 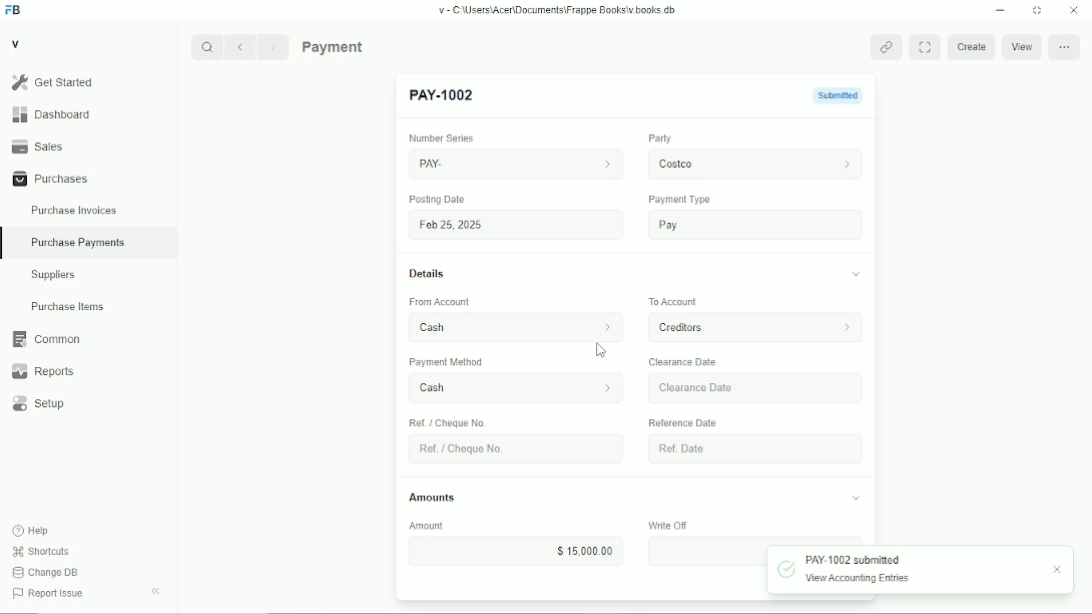 I want to click on Reports, so click(x=89, y=371).